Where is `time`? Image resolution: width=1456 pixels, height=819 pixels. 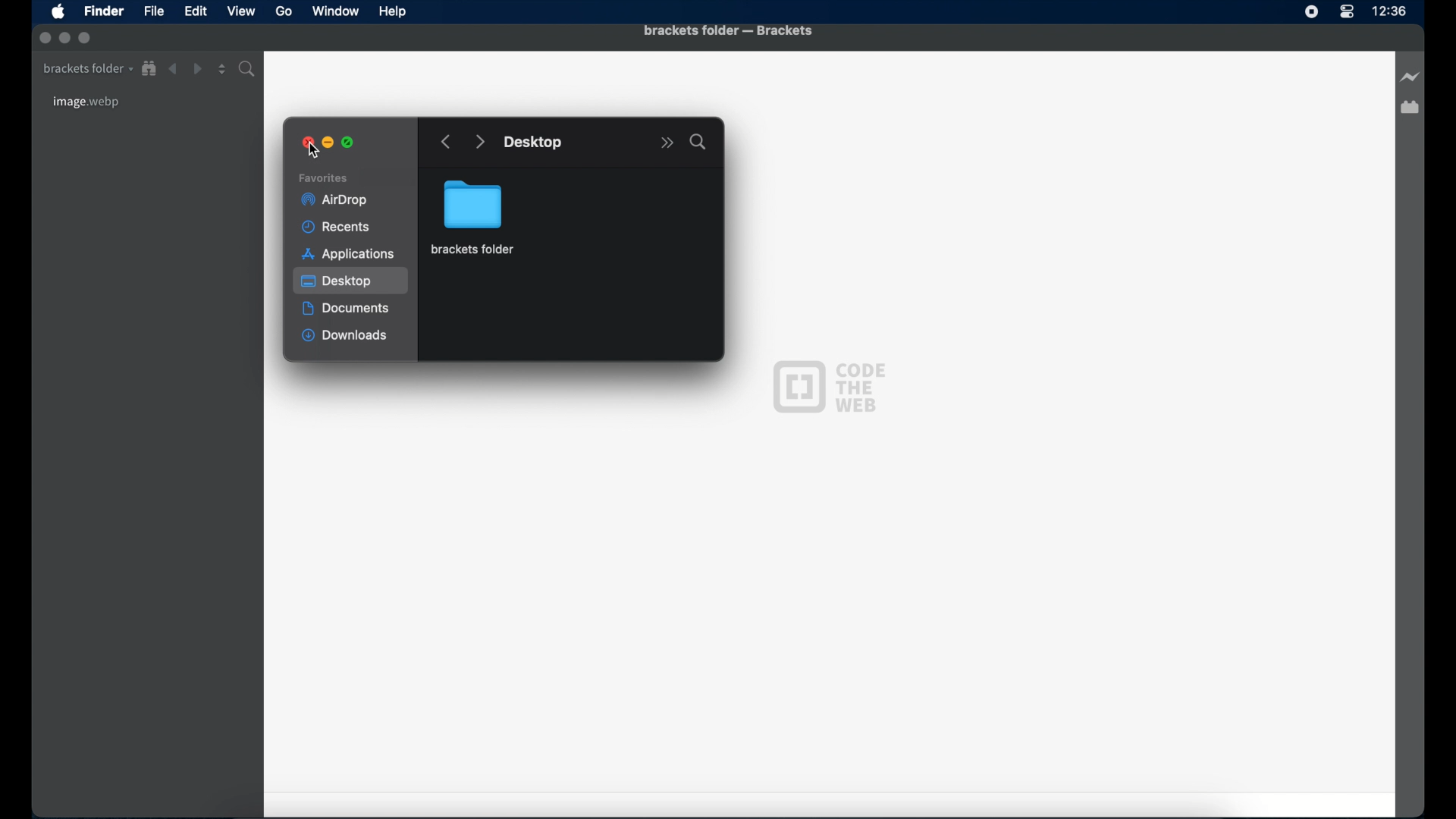 time is located at coordinates (1389, 11).